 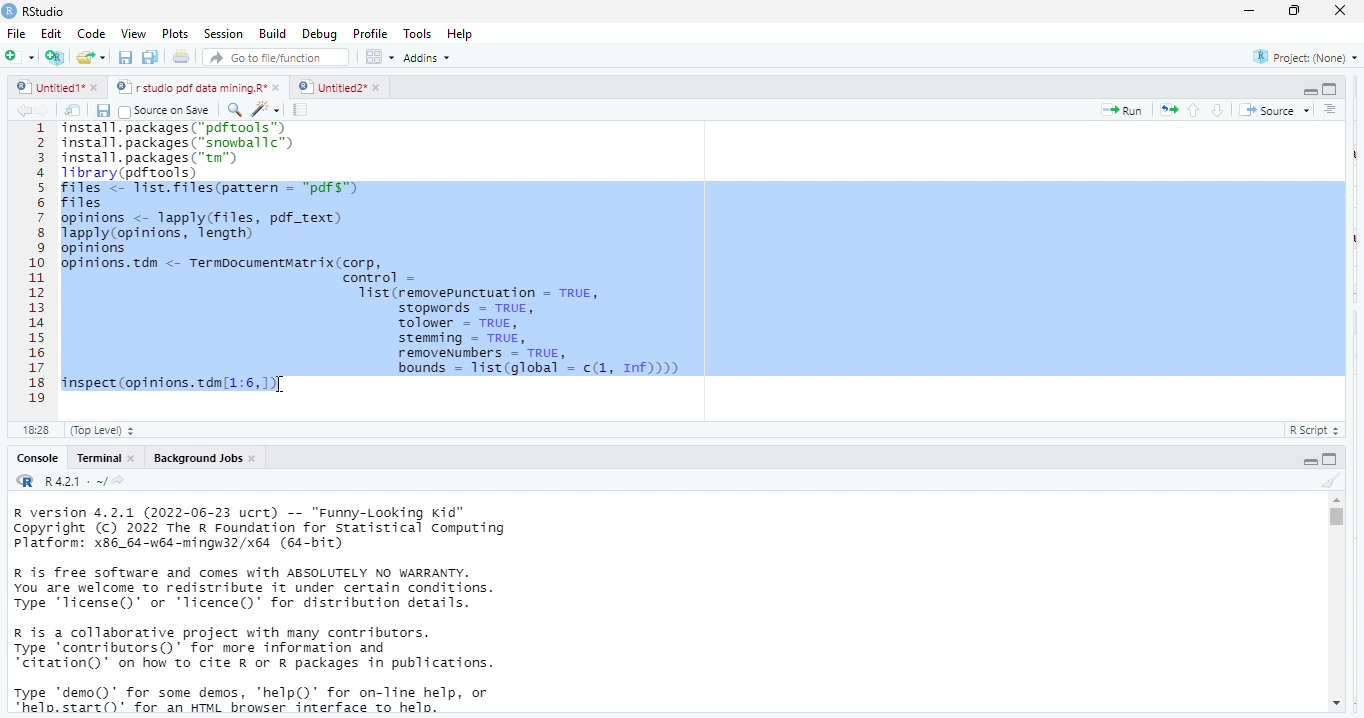 What do you see at coordinates (193, 458) in the screenshot?
I see `background jobs` at bounding box center [193, 458].